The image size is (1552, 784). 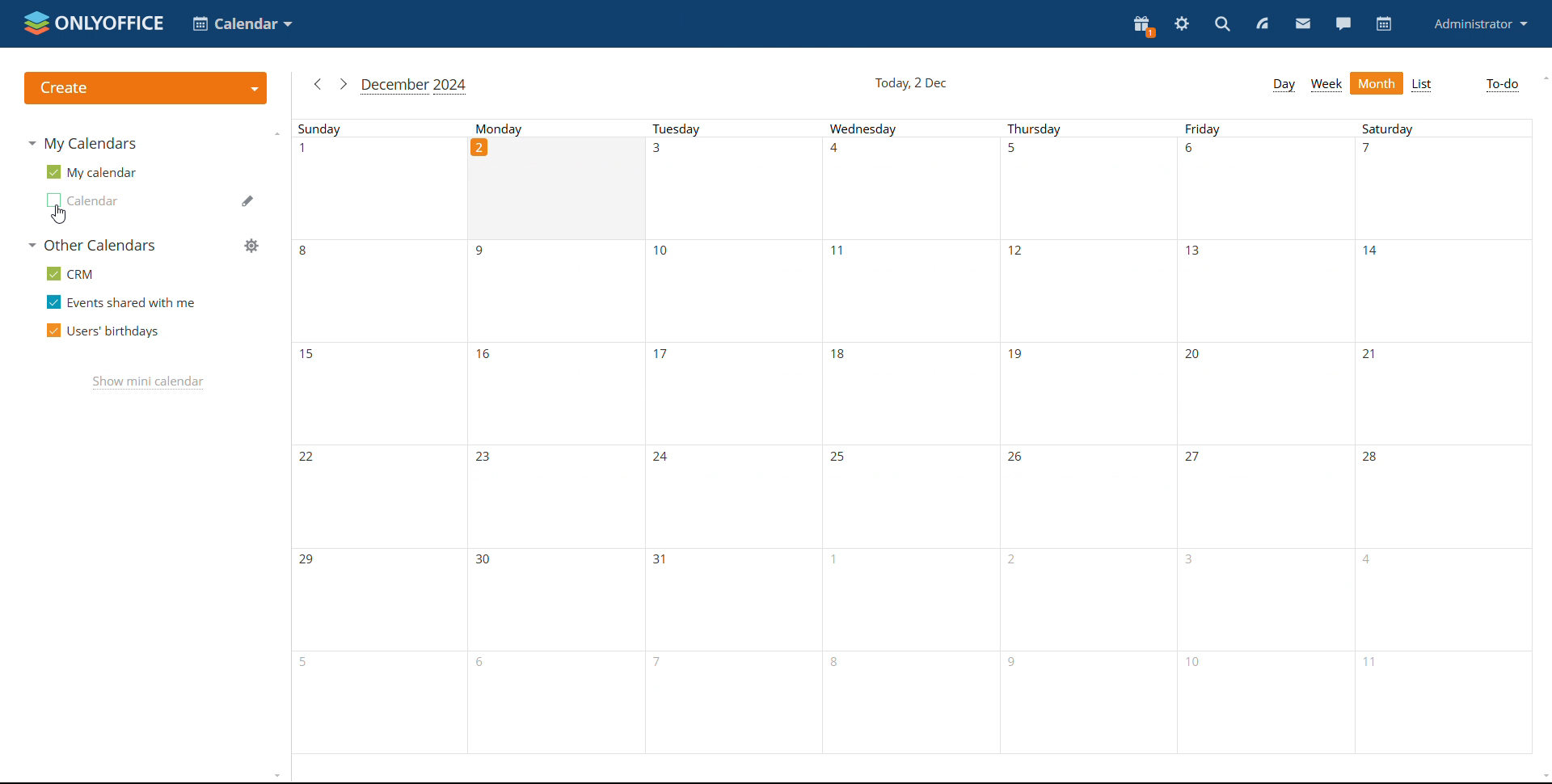 What do you see at coordinates (377, 702) in the screenshot?
I see `5` at bounding box center [377, 702].